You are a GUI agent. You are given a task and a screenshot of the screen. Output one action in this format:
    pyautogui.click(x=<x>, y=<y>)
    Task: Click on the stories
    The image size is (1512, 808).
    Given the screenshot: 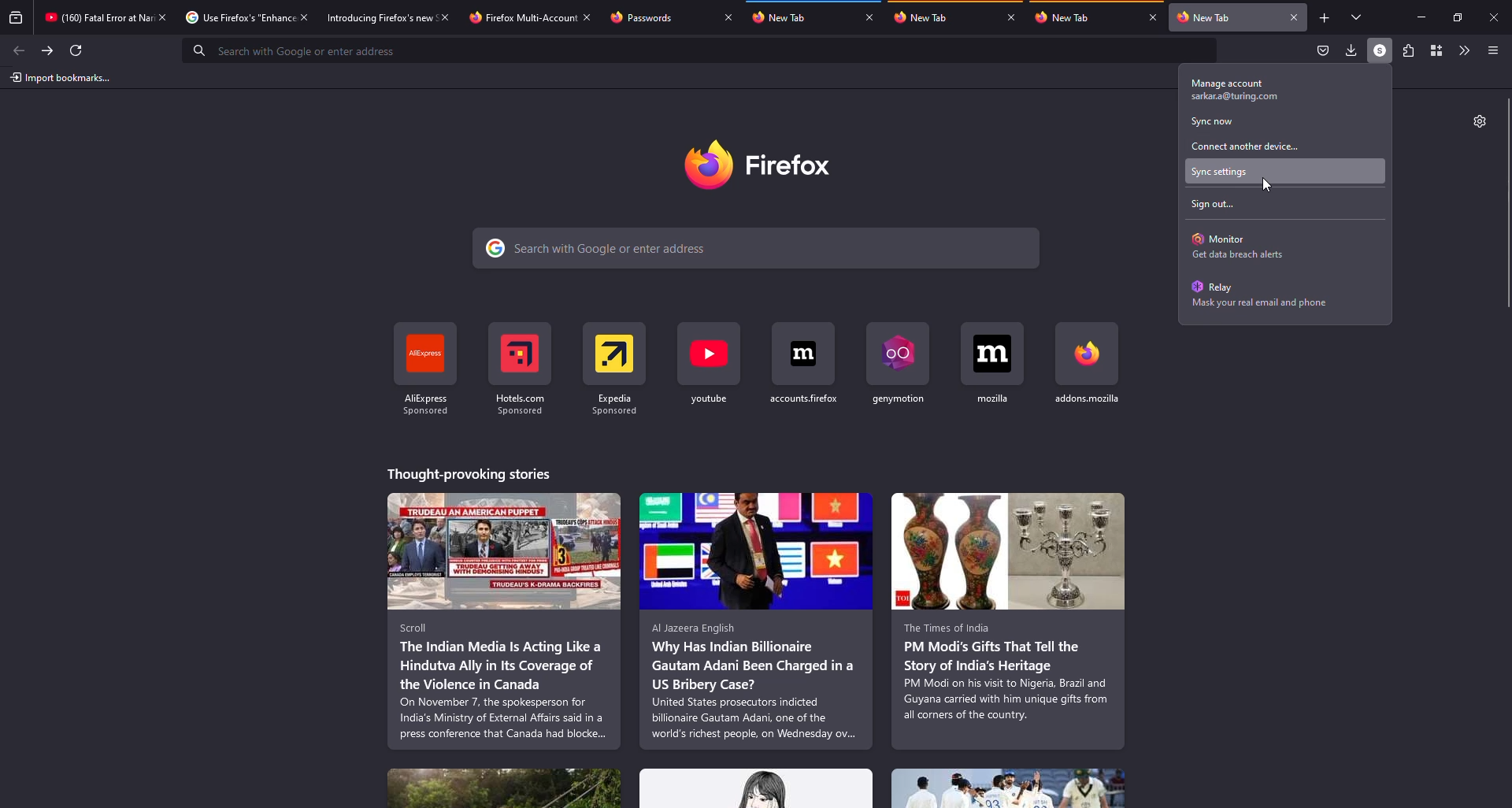 What is the action you would take?
    pyautogui.click(x=757, y=788)
    